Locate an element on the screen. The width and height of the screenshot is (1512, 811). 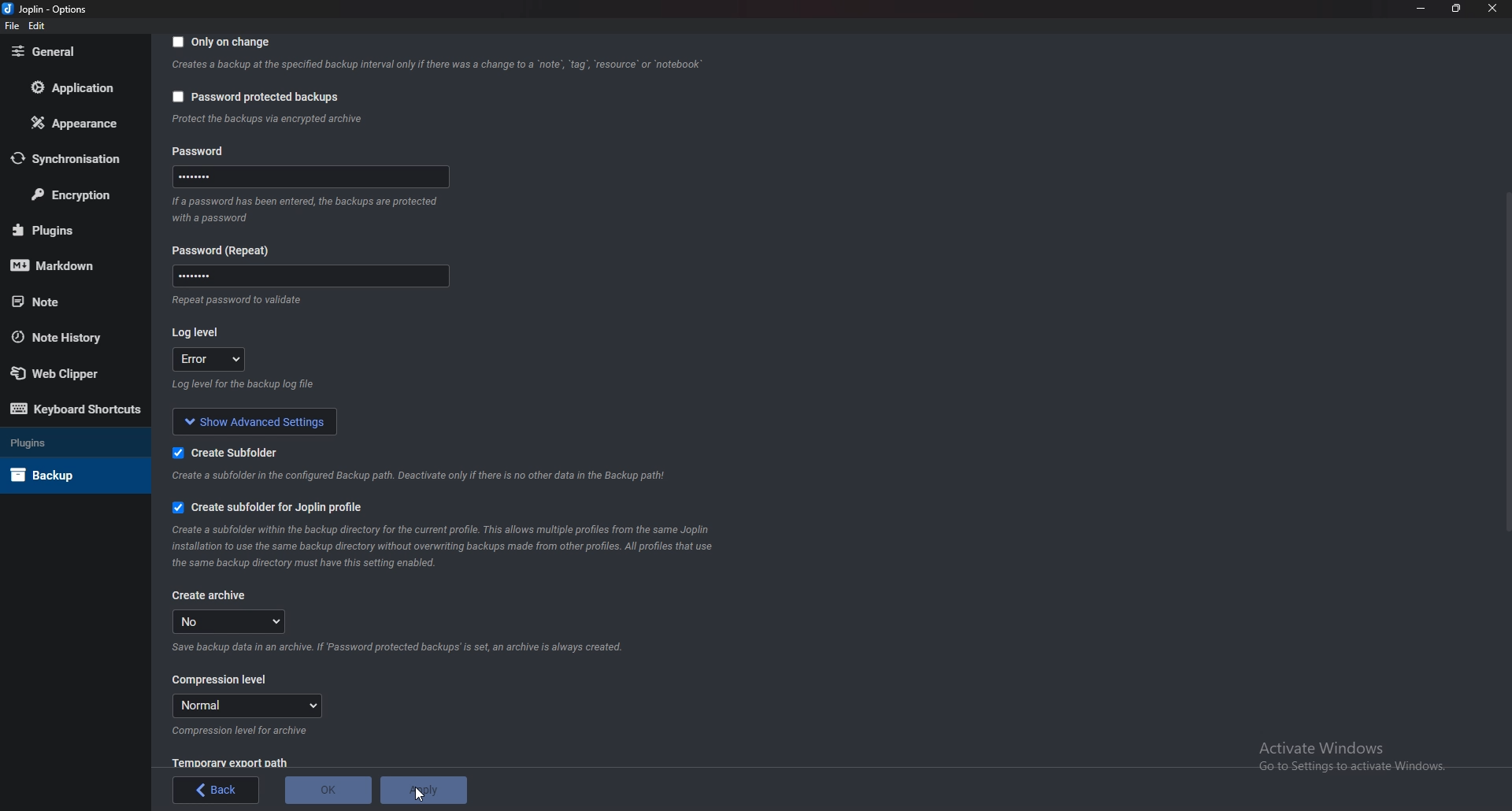
cursor is located at coordinates (418, 795).